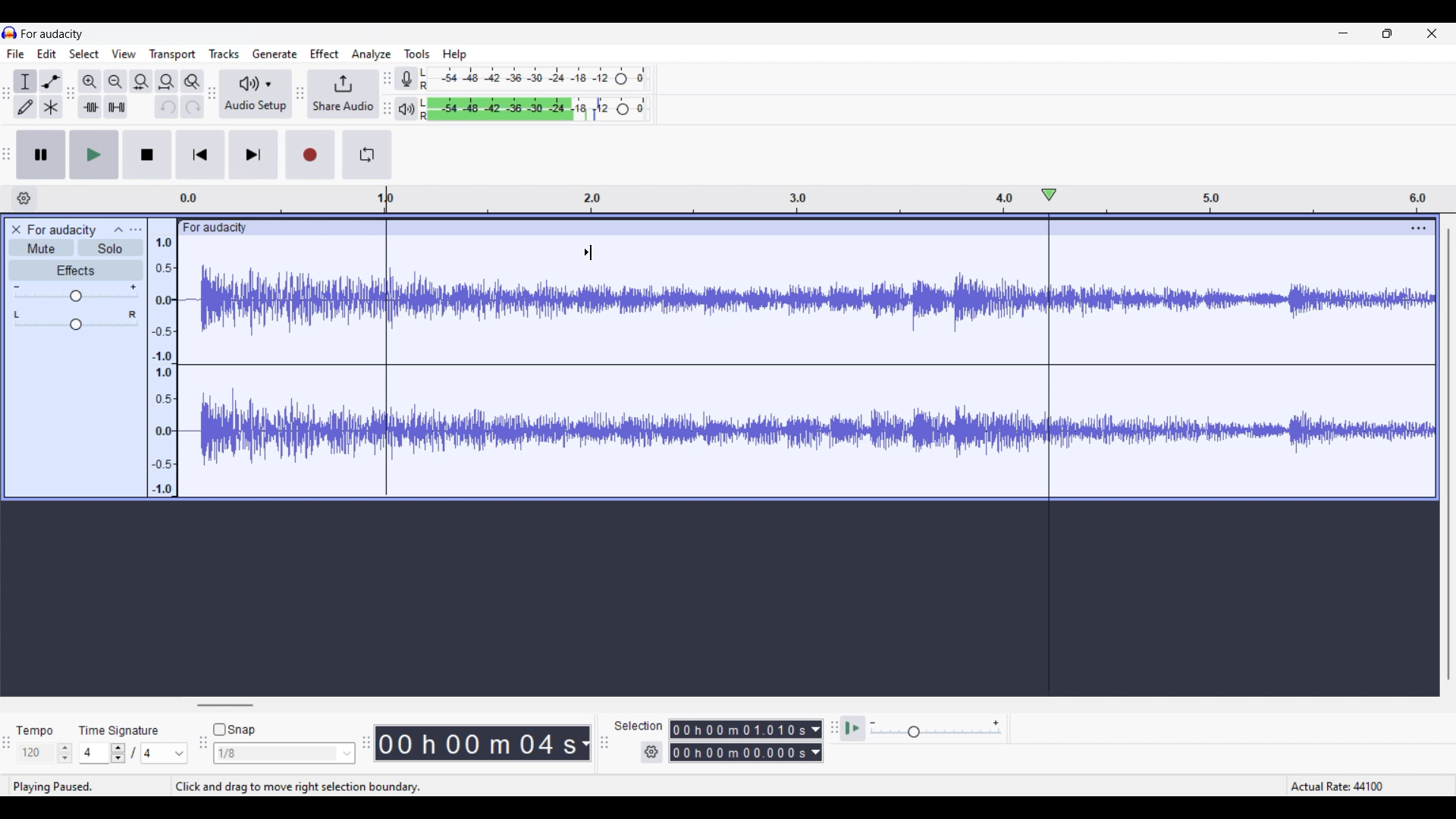  I want to click on Recording level, so click(535, 79).